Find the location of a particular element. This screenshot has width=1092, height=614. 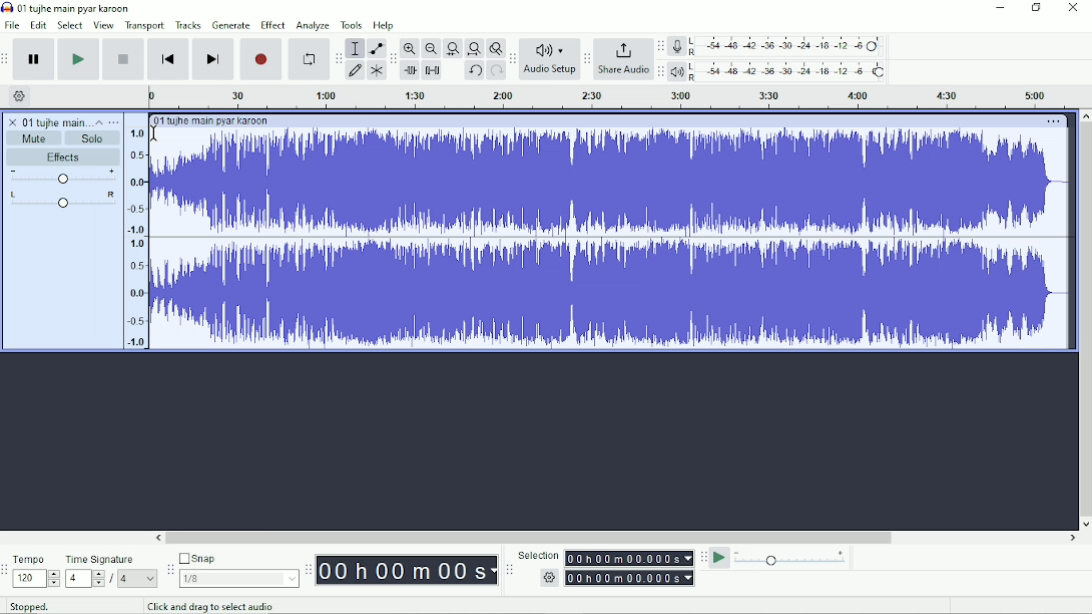

Stopped is located at coordinates (29, 605).